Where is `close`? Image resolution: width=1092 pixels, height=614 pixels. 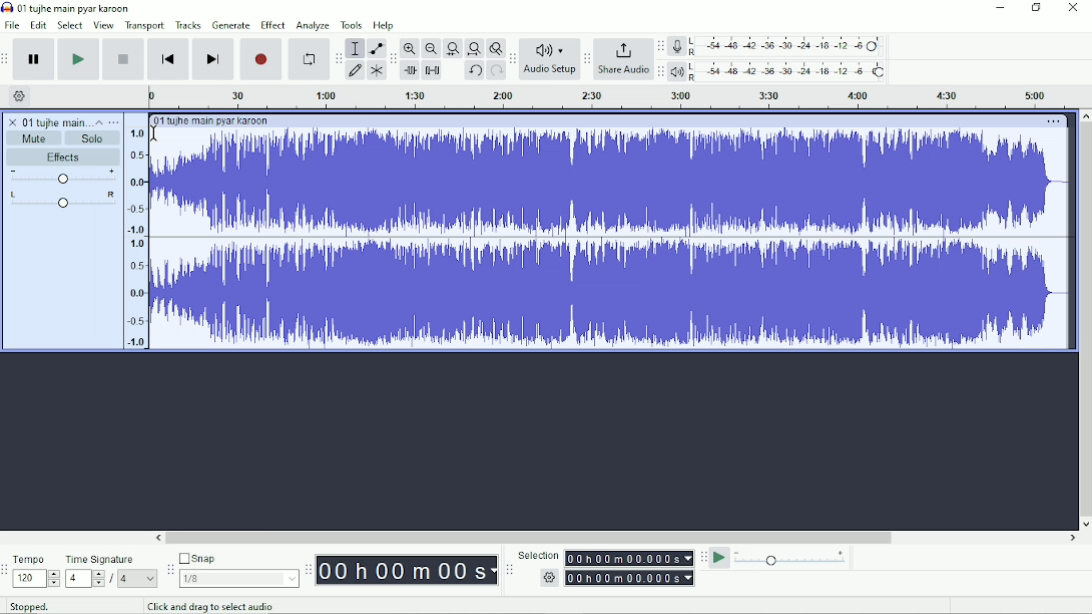 close is located at coordinates (13, 119).